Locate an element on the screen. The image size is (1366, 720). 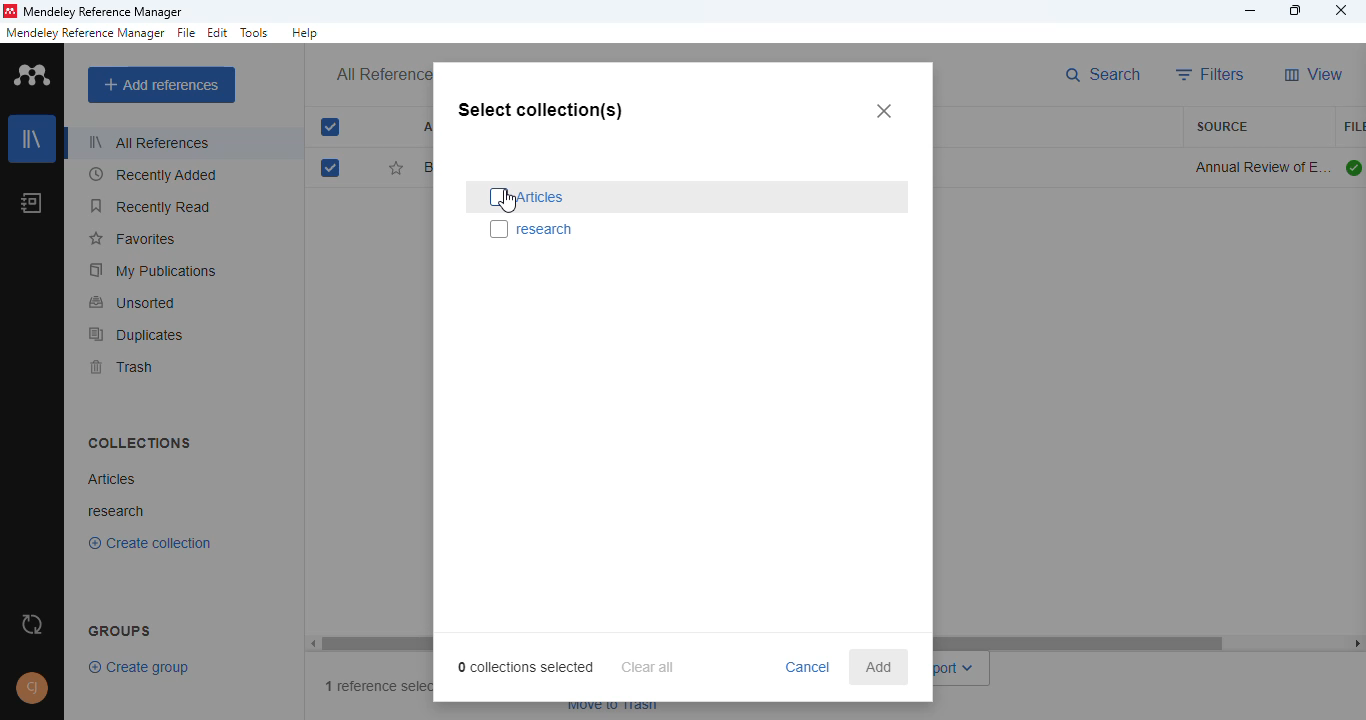
trash is located at coordinates (122, 367).